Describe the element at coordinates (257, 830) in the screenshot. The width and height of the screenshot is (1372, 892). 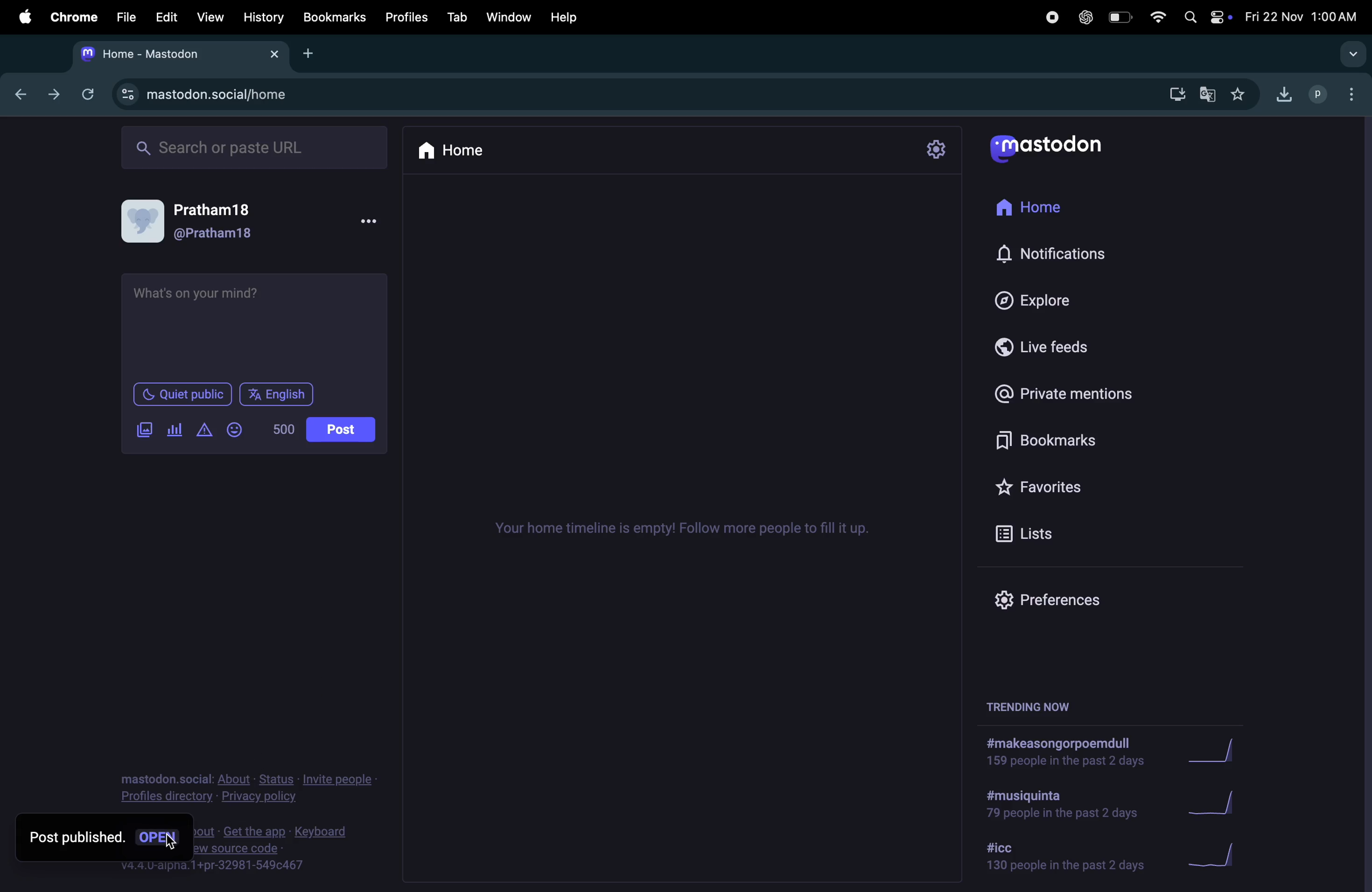
I see `get the app` at that location.